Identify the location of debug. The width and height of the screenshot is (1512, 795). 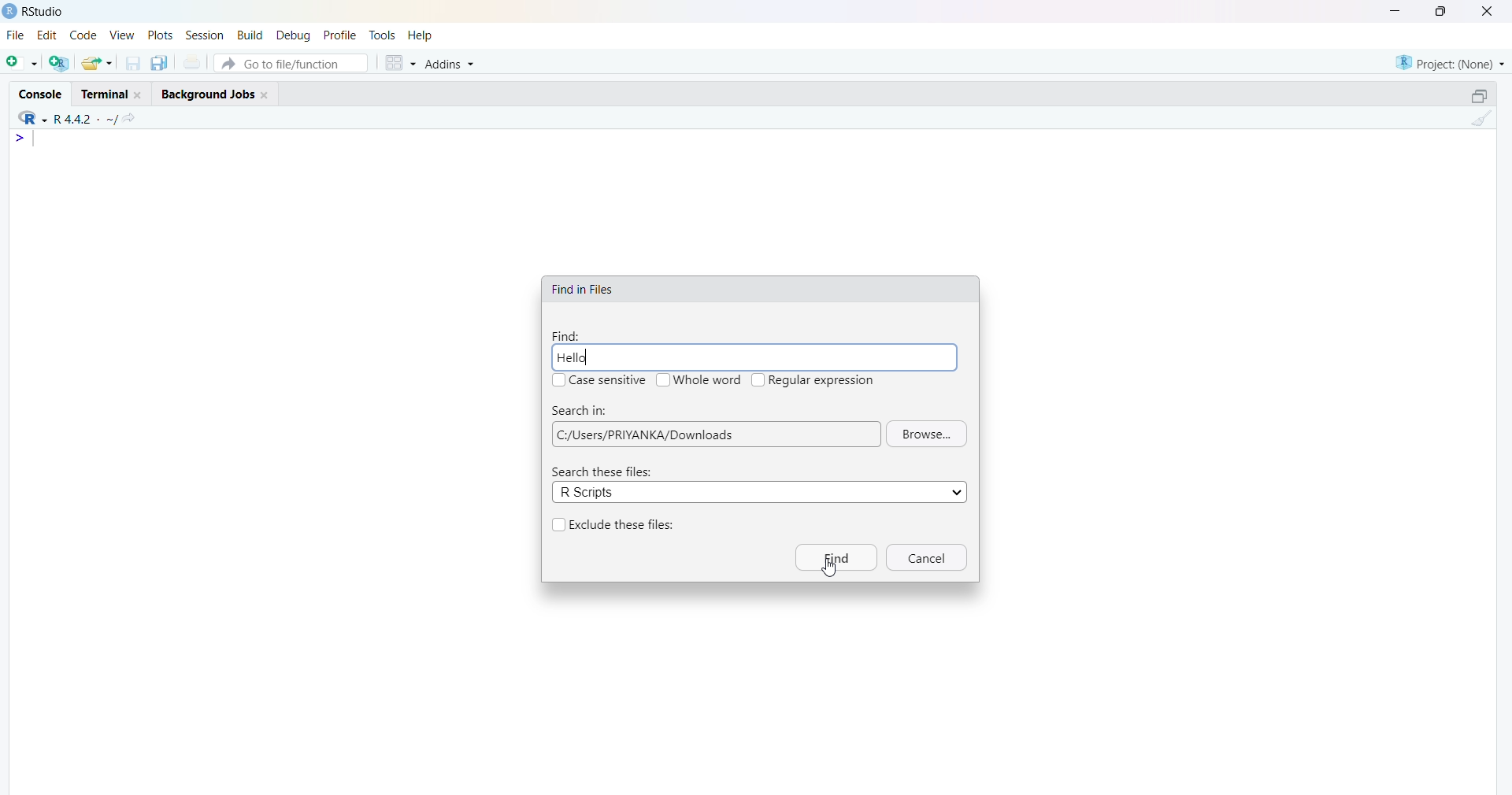
(295, 35).